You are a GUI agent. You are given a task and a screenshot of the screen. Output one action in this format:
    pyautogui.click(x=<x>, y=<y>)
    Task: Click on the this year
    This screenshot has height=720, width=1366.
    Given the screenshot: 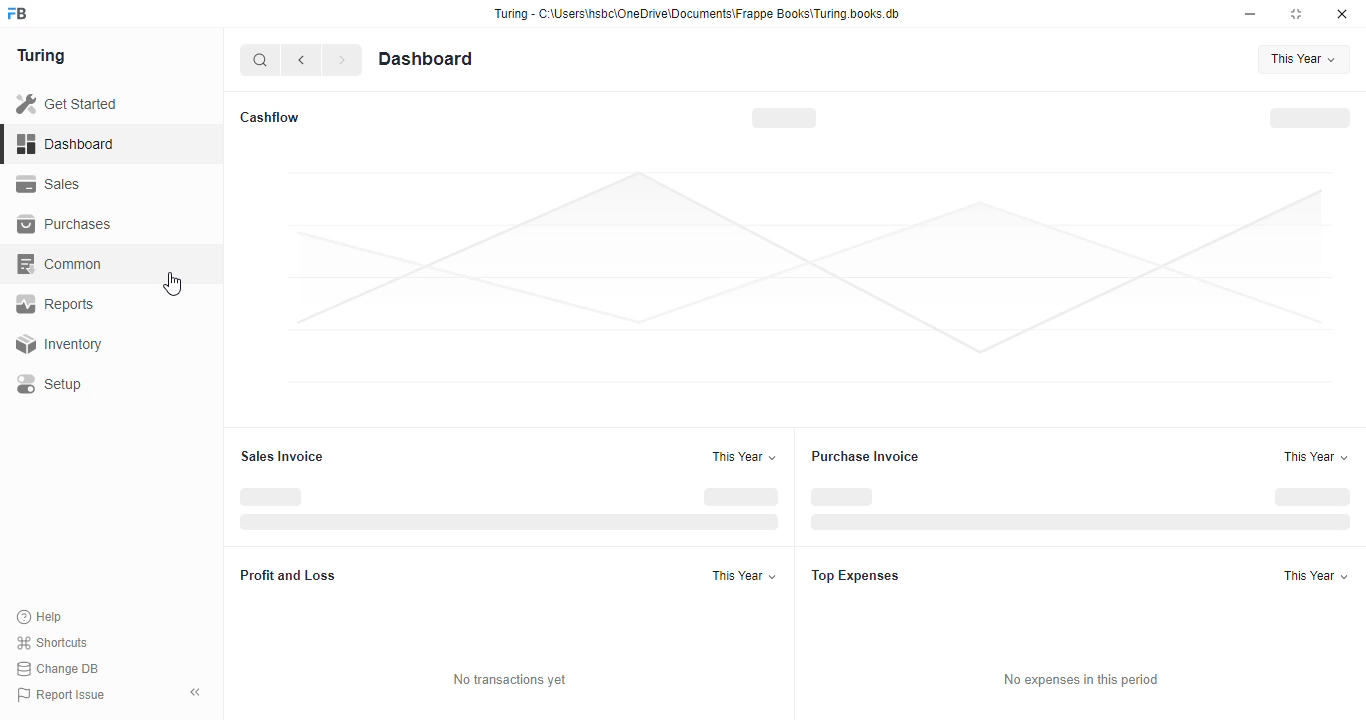 What is the action you would take?
    pyautogui.click(x=1318, y=576)
    